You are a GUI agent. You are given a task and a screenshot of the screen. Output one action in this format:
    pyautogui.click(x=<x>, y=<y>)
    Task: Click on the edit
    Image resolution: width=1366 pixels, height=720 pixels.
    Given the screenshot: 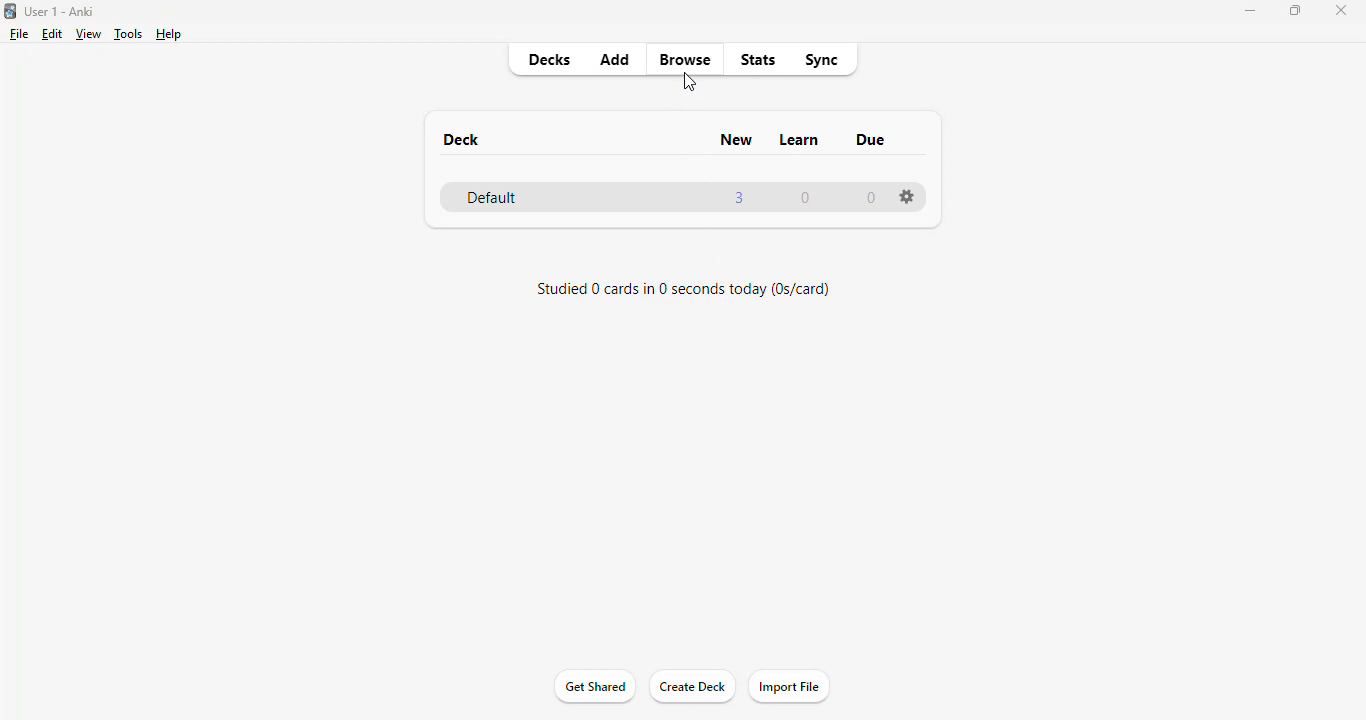 What is the action you would take?
    pyautogui.click(x=52, y=34)
    